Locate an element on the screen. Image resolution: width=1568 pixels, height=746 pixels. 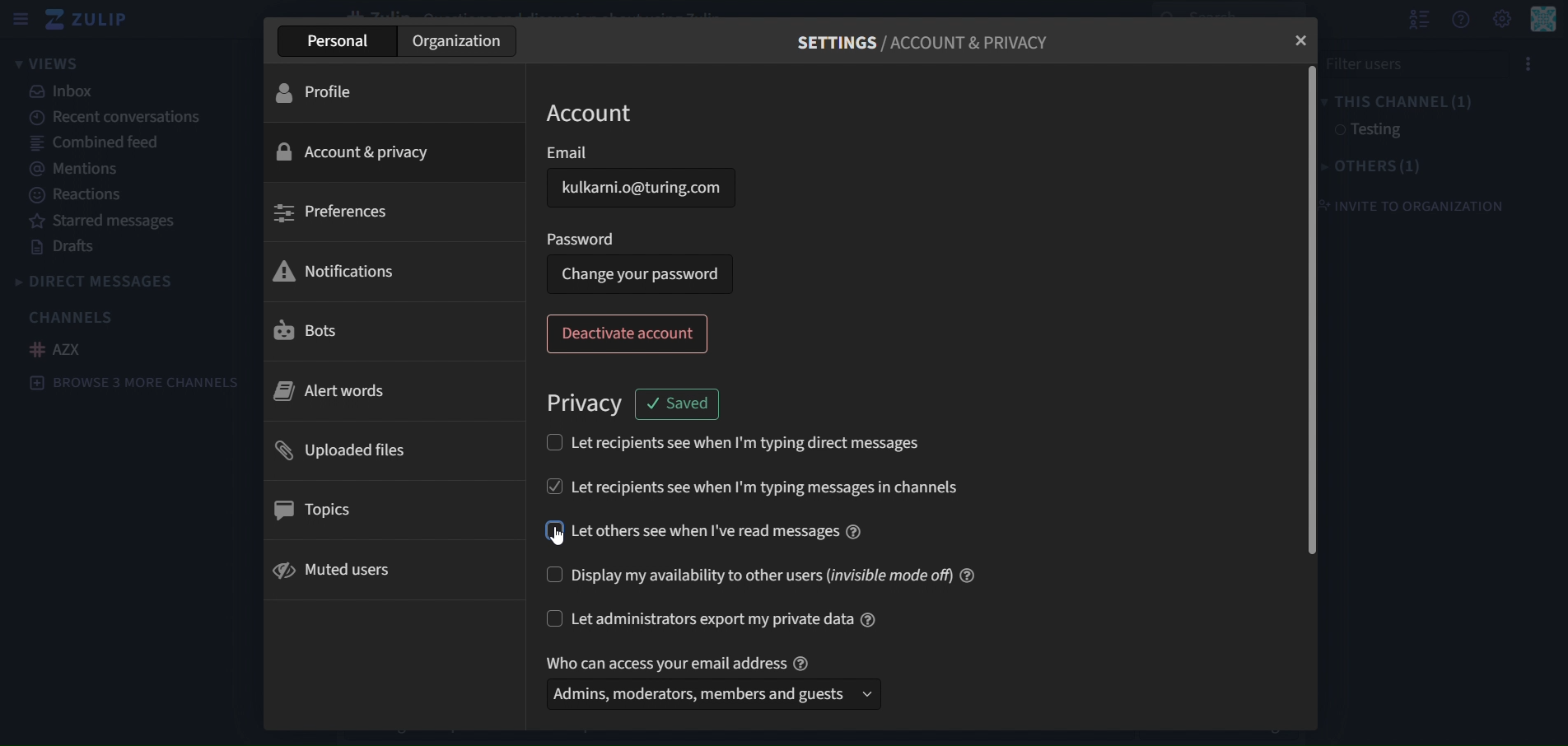
AZX is located at coordinates (62, 350).